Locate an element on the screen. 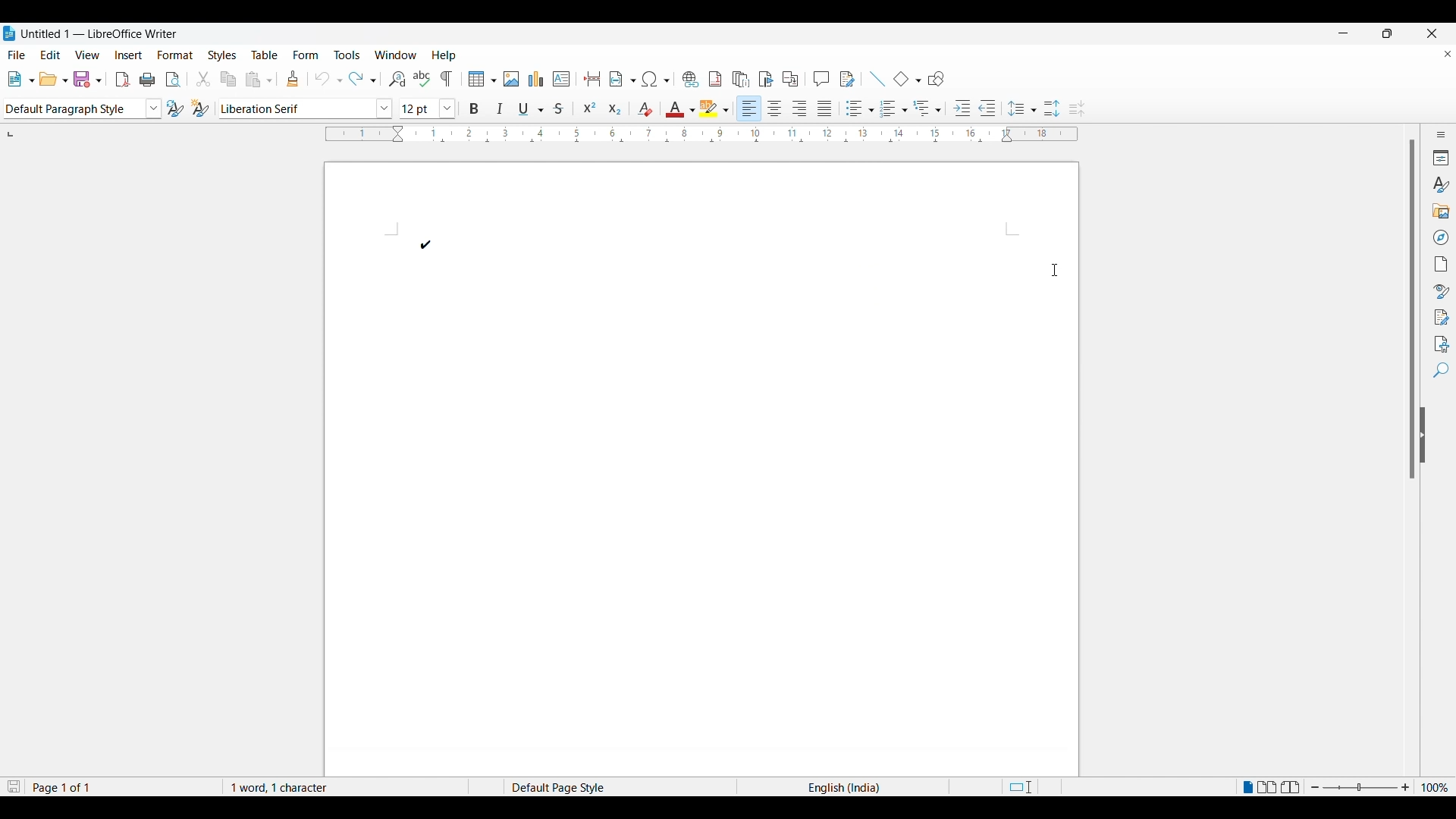 The width and height of the screenshot is (1456, 819). superscript is located at coordinates (590, 106).